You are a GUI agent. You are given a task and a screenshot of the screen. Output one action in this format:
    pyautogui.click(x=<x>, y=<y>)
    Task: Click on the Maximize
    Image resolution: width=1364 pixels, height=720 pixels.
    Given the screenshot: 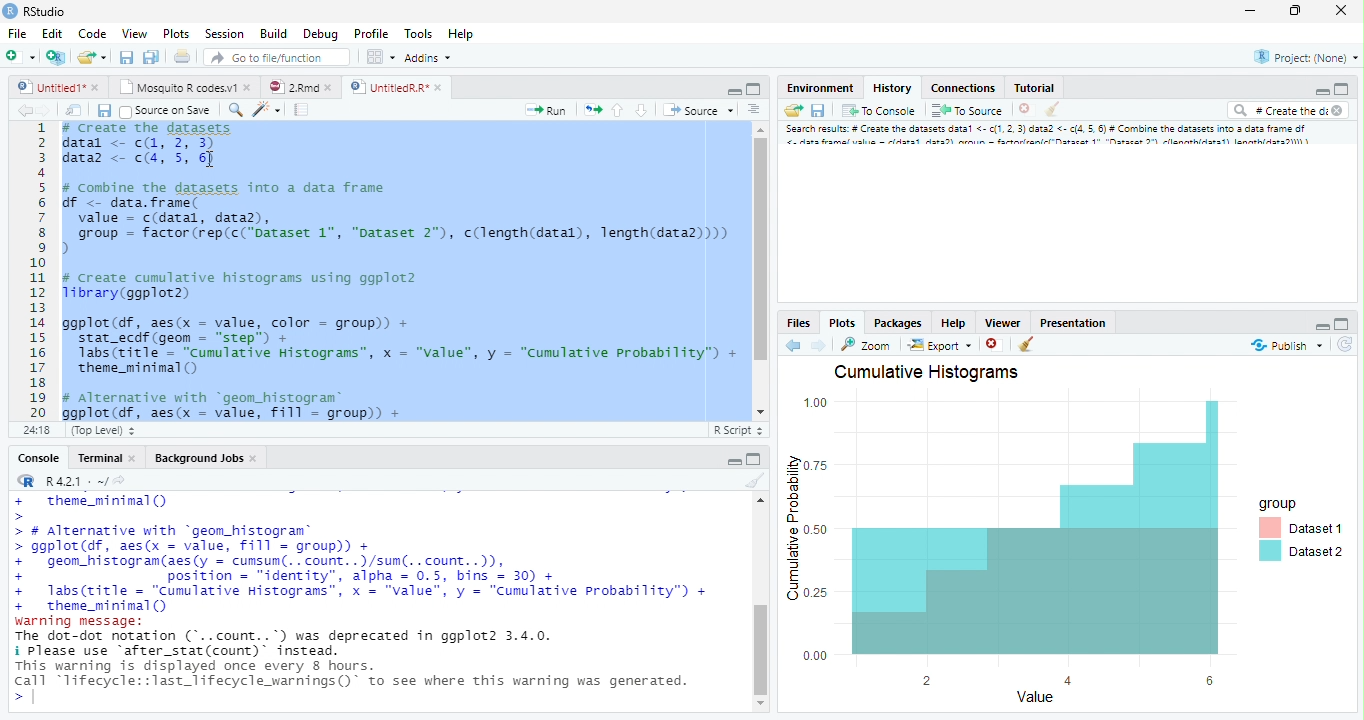 What is the action you would take?
    pyautogui.click(x=754, y=88)
    